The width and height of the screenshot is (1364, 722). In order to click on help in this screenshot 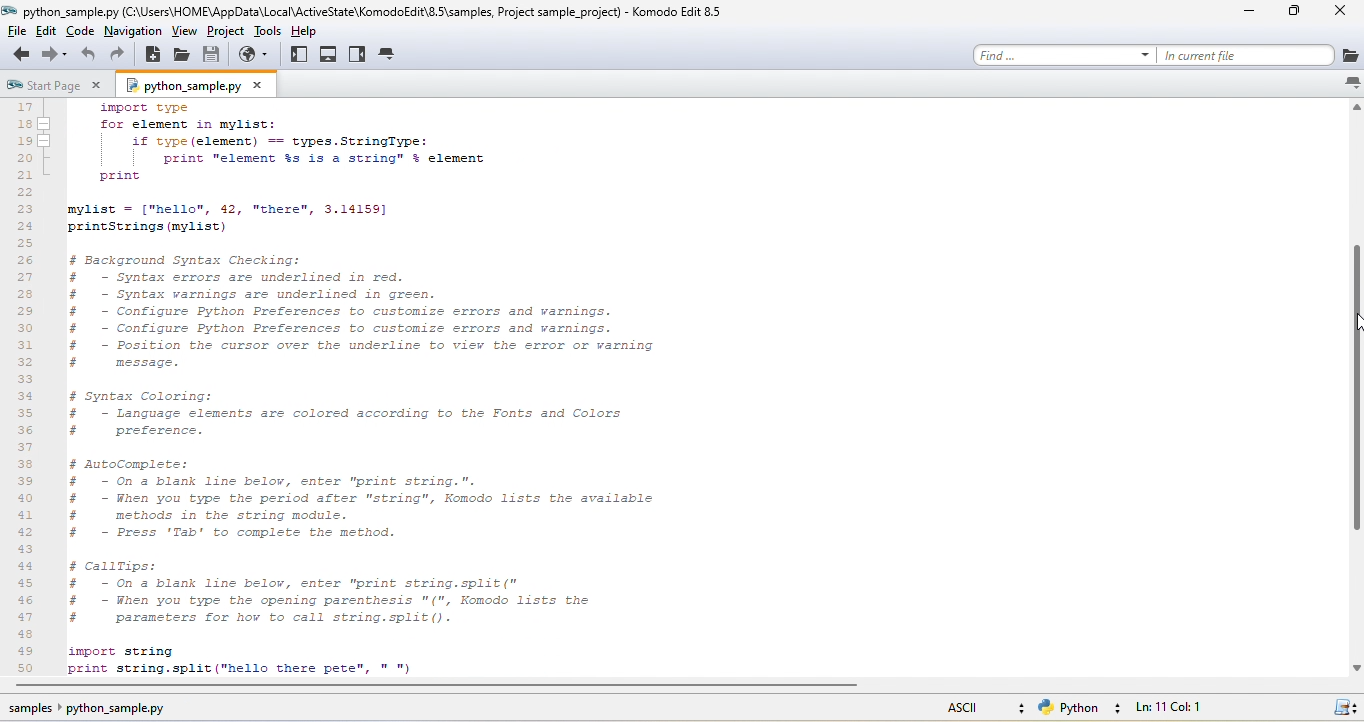, I will do `click(312, 29)`.